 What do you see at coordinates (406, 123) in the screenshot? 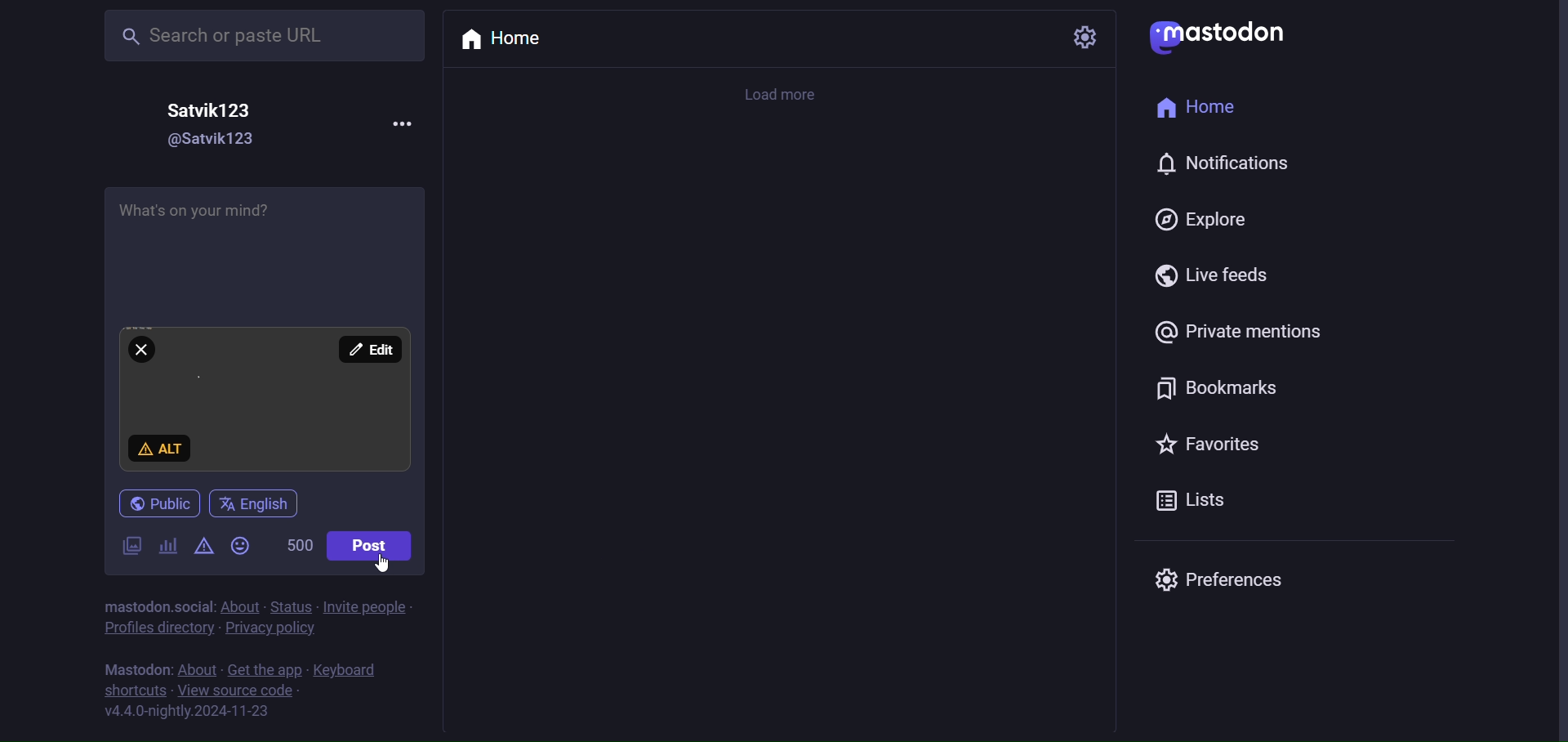
I see `more` at bounding box center [406, 123].